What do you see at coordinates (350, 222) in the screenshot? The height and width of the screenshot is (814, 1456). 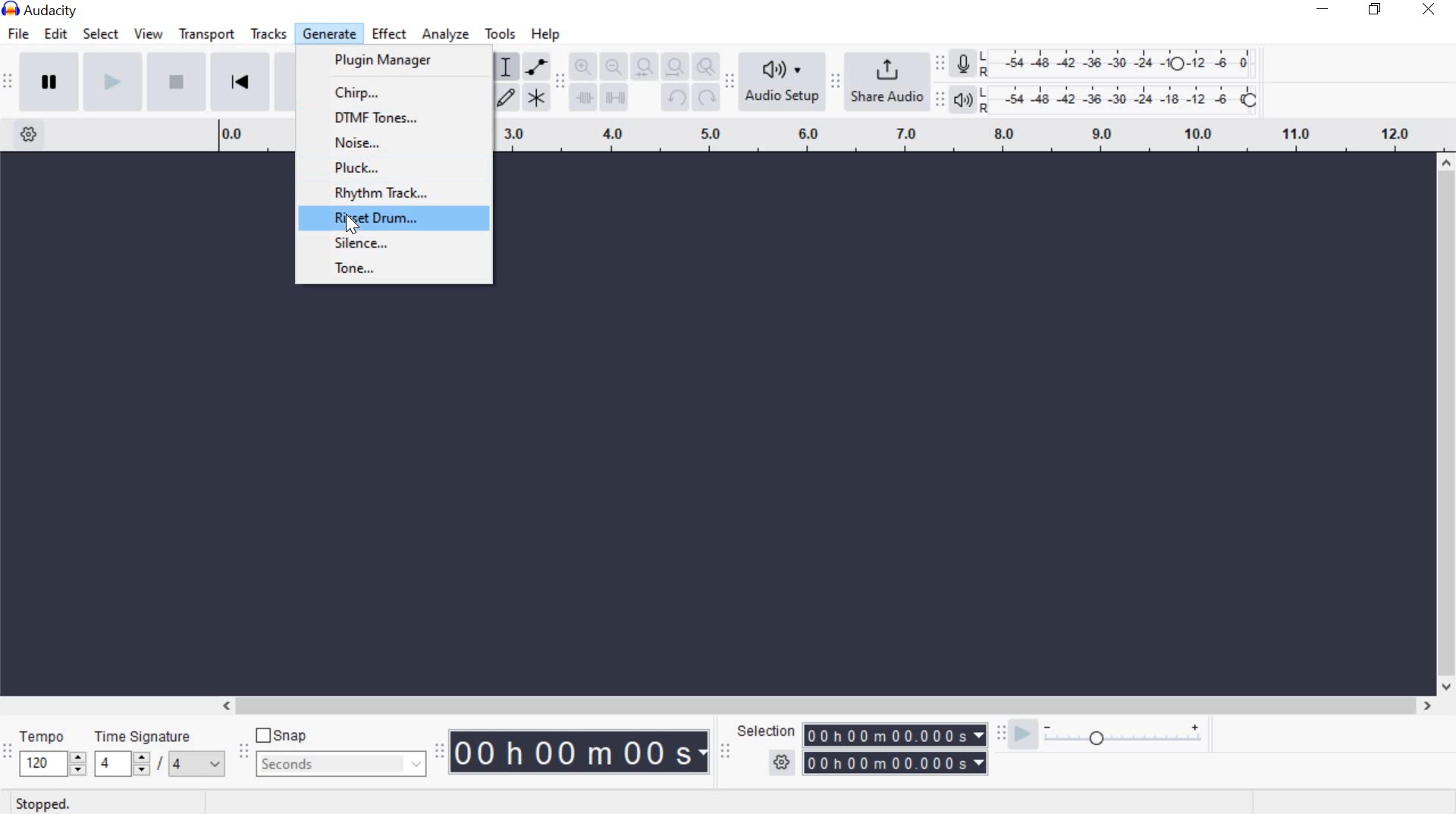 I see `cursor` at bounding box center [350, 222].